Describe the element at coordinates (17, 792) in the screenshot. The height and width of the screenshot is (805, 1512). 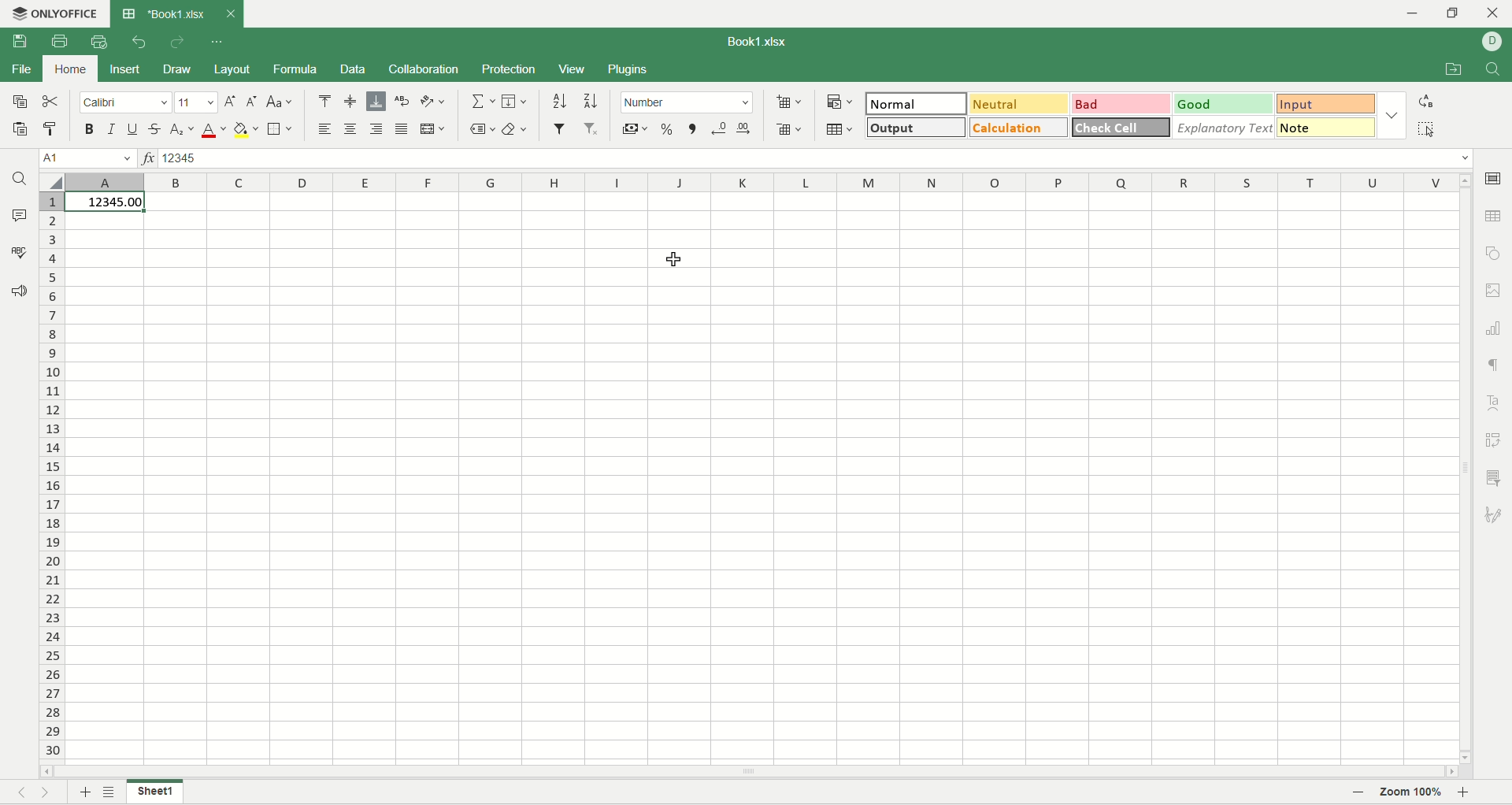
I see `previous` at that location.